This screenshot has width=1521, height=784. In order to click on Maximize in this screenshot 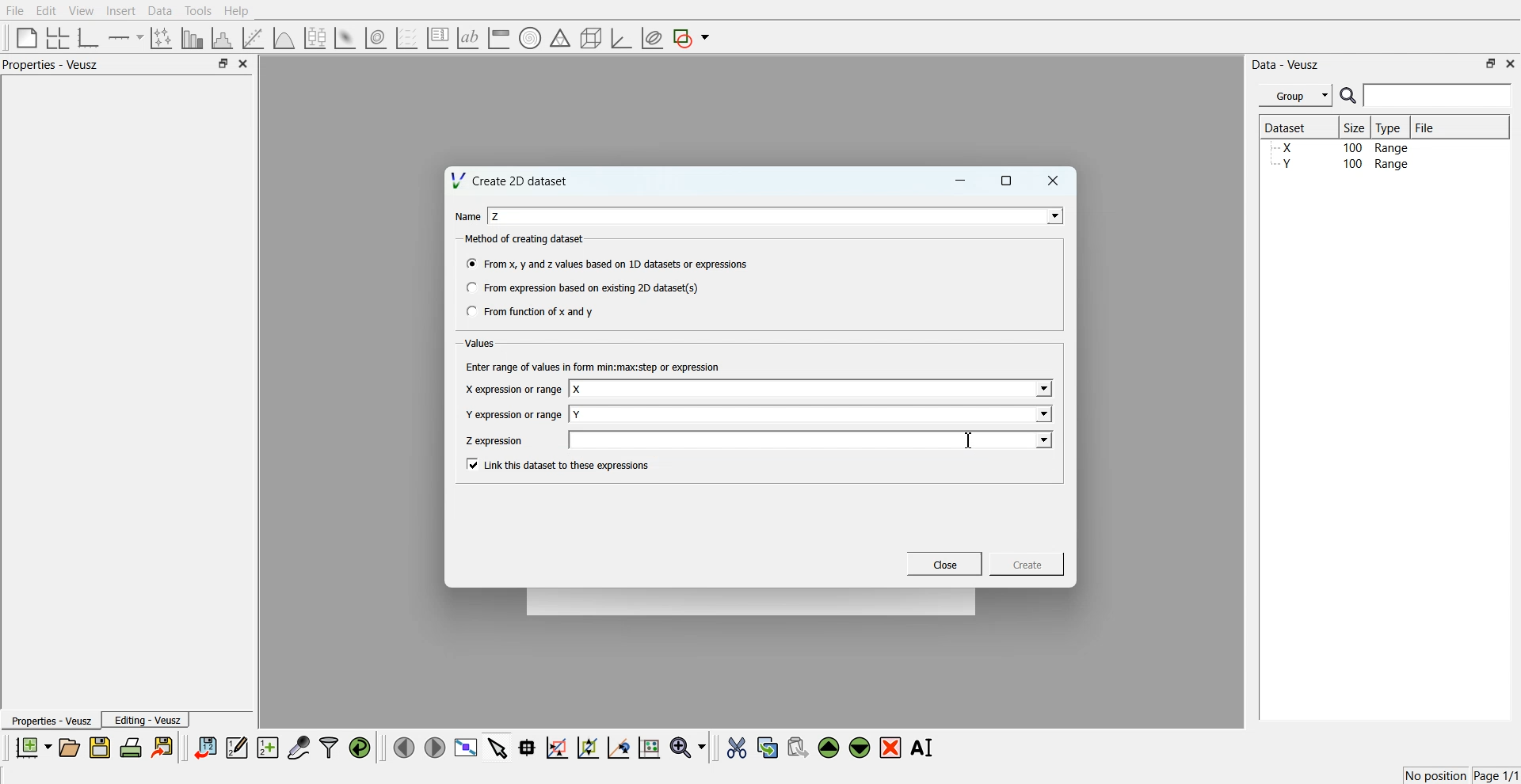, I will do `click(1491, 63)`.